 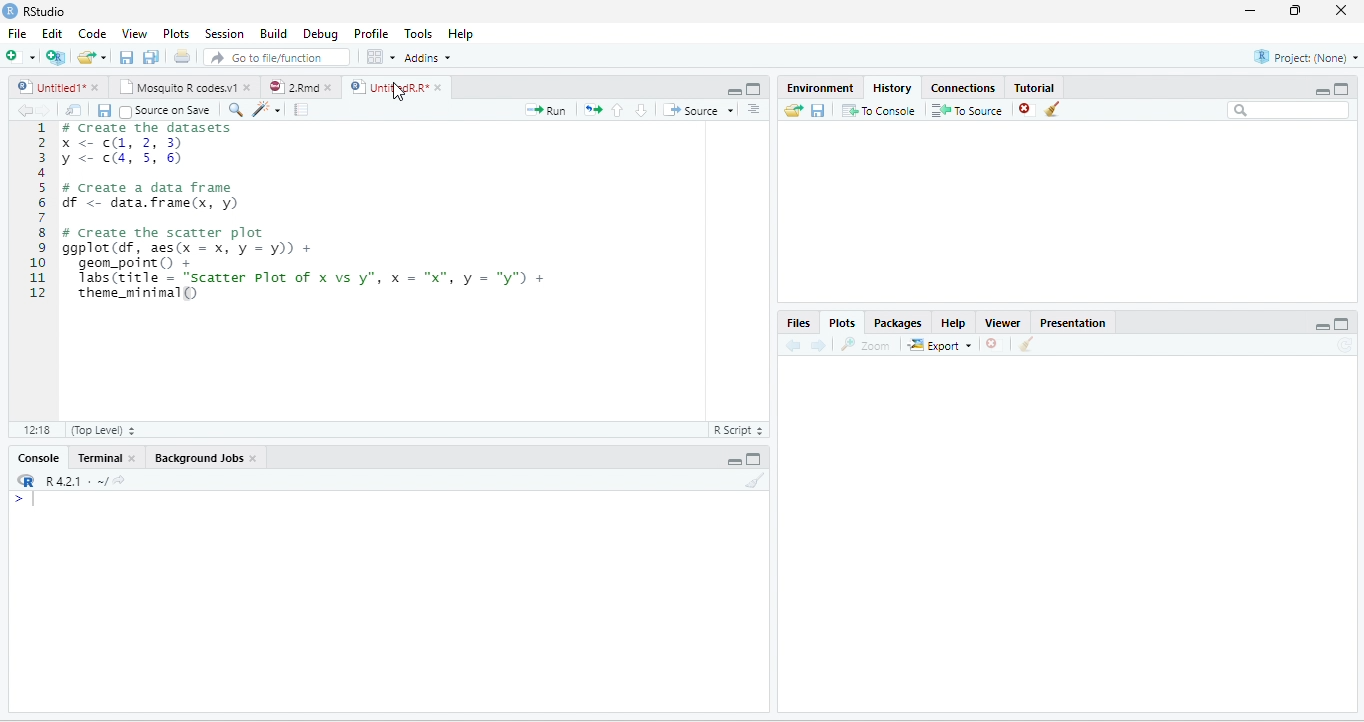 I want to click on Print the current file, so click(x=182, y=56).